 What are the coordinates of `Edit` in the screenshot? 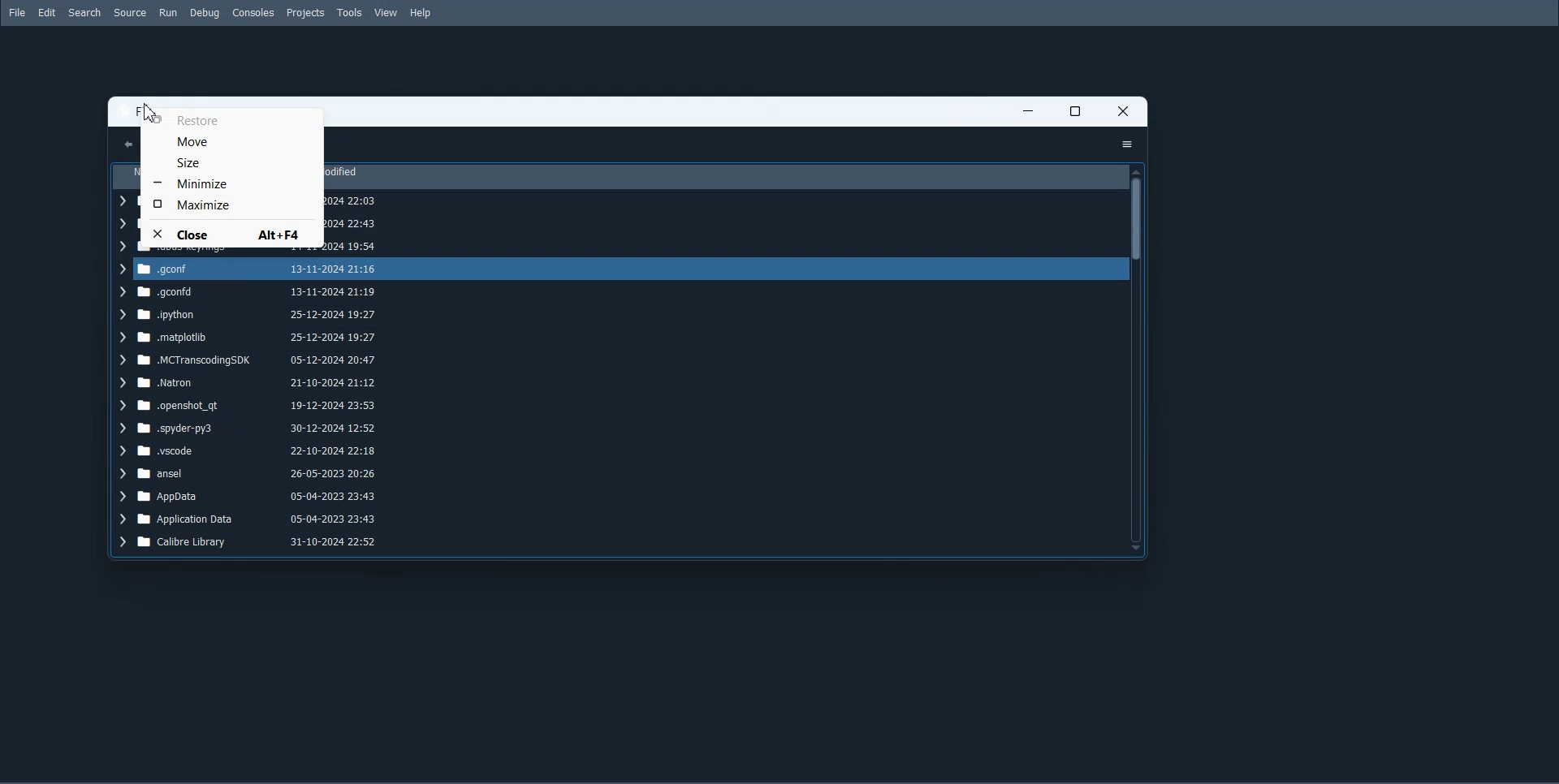 It's located at (46, 12).